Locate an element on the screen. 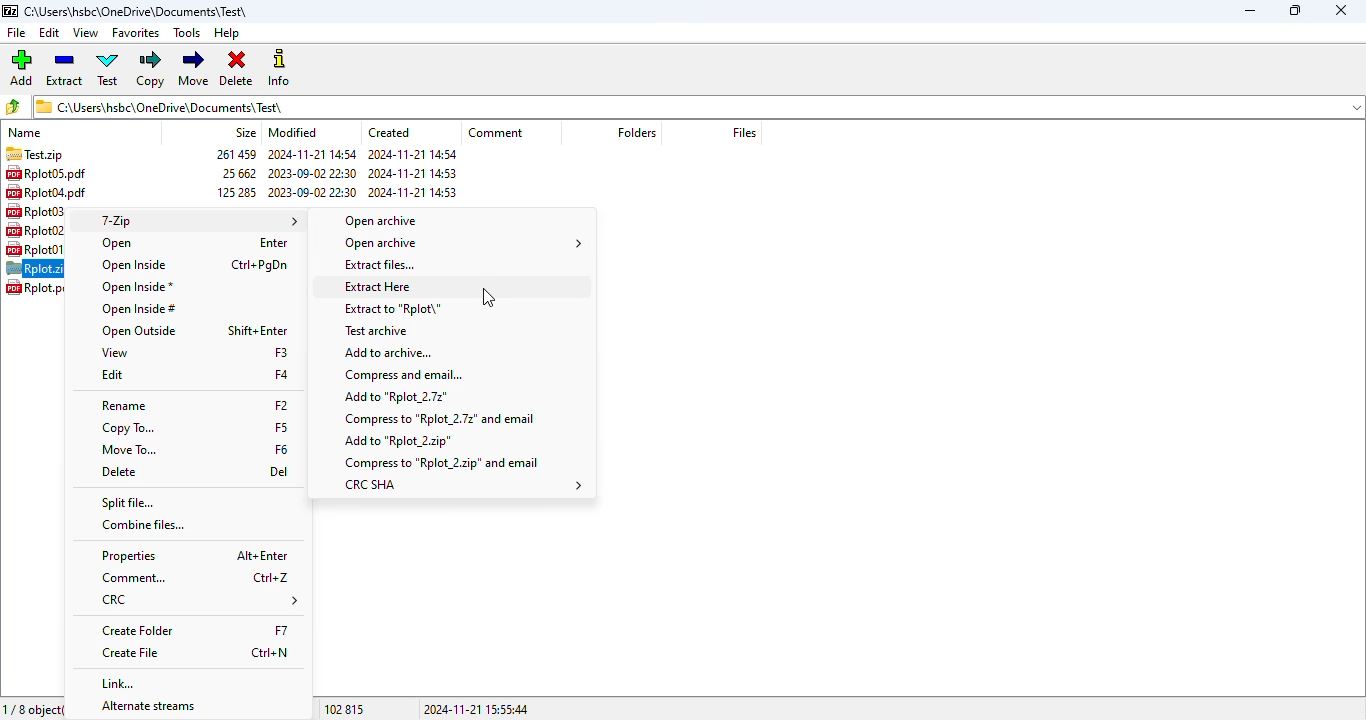 The image size is (1366, 720). move to is located at coordinates (129, 450).